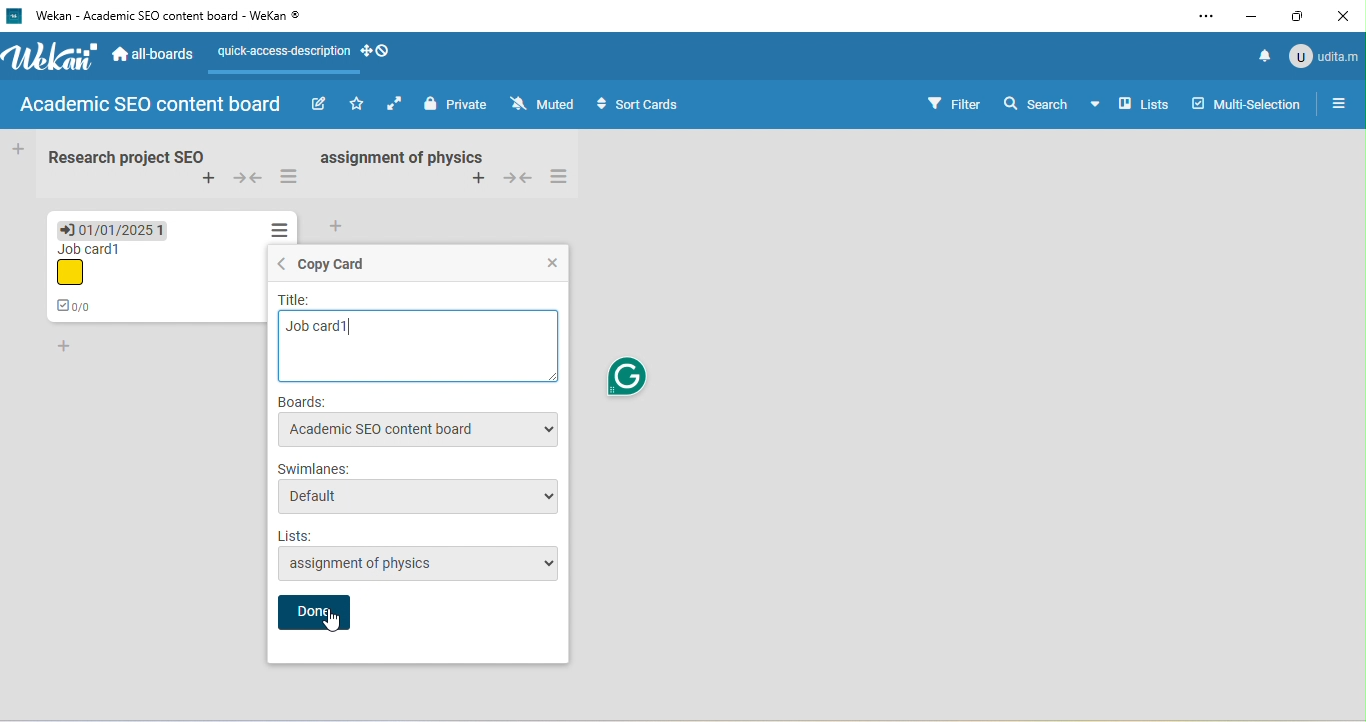 This screenshot has width=1366, height=722. Describe the element at coordinates (249, 179) in the screenshot. I see `collapse` at that location.